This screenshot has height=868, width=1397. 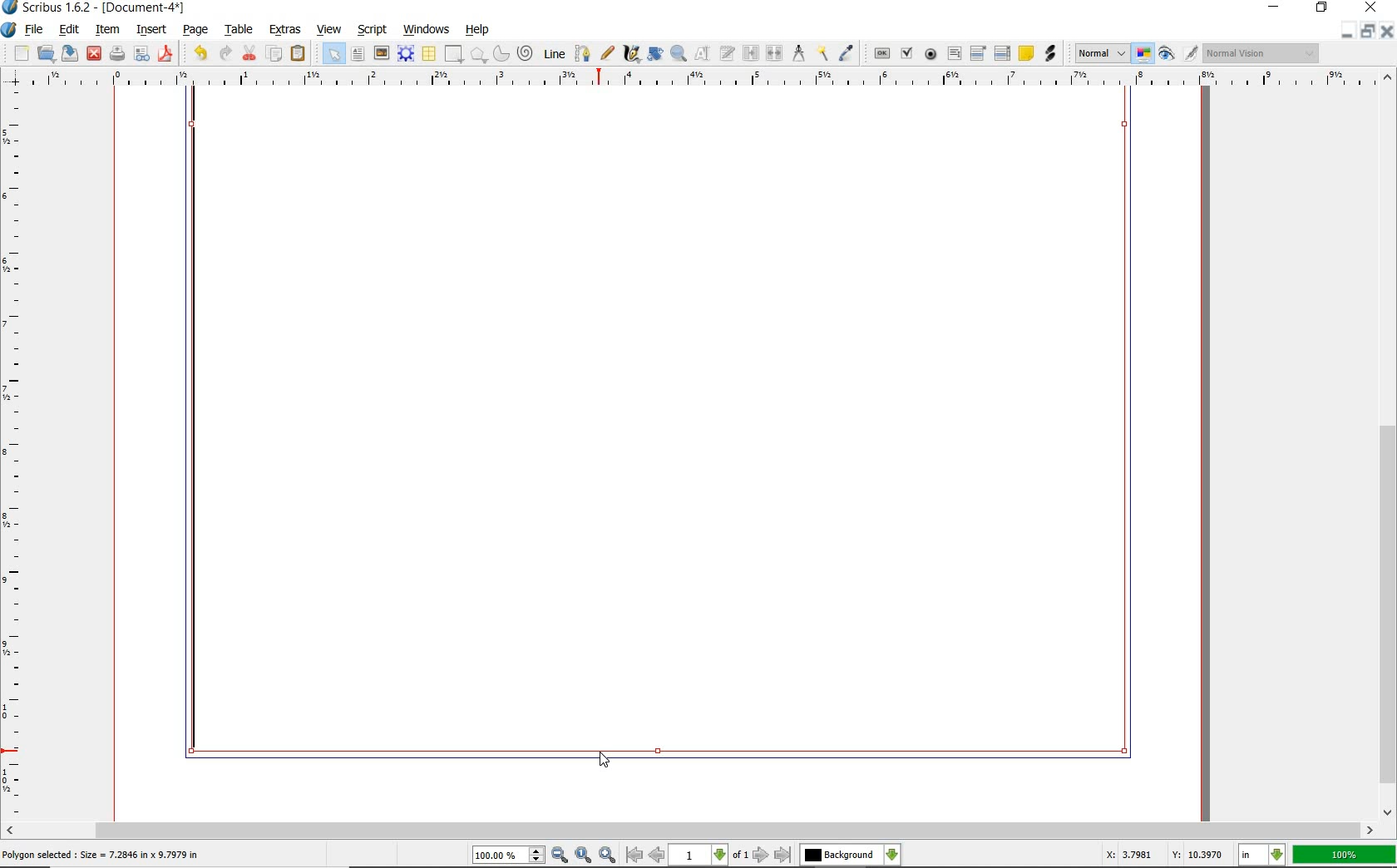 I want to click on arc, so click(x=501, y=52).